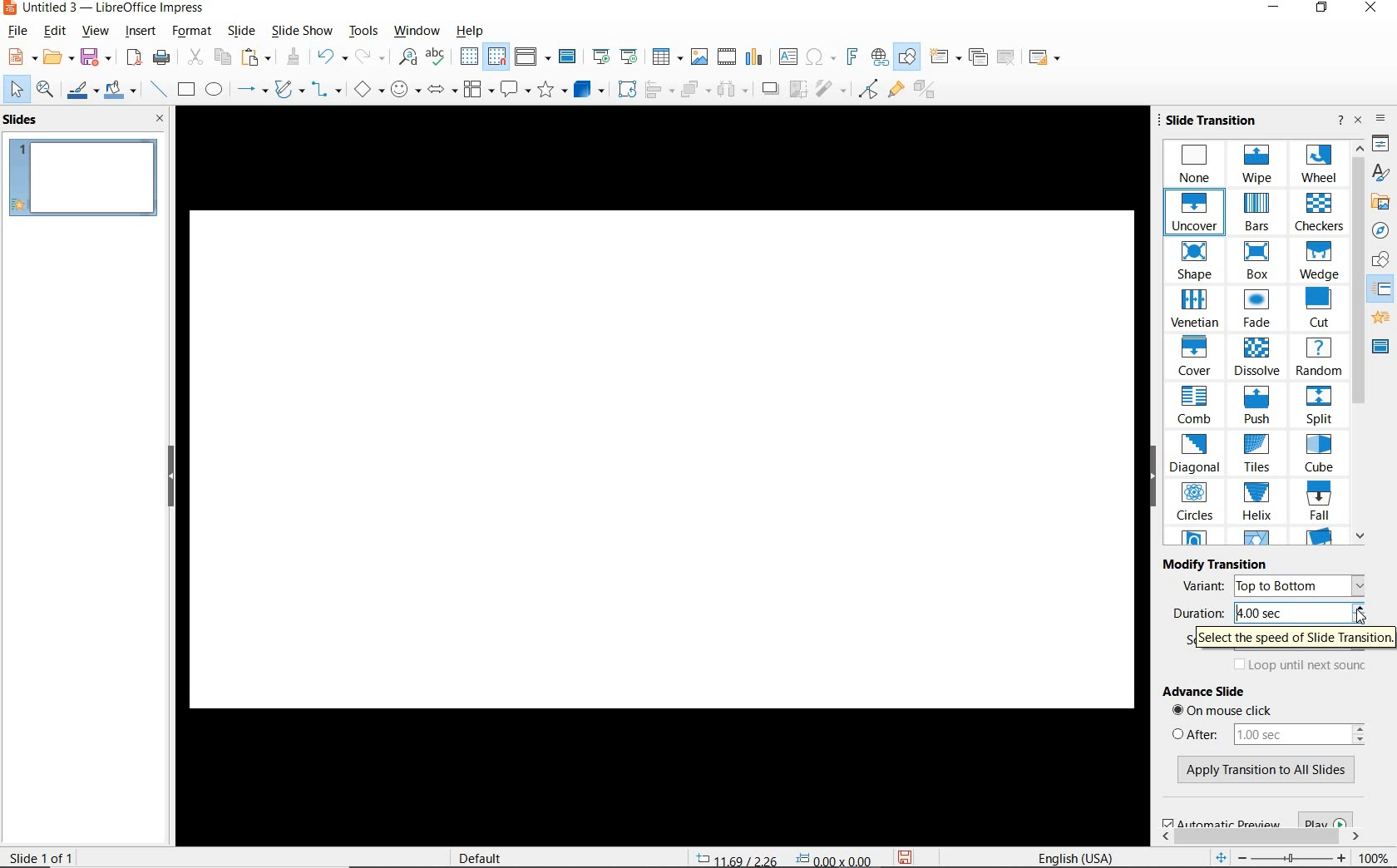  What do you see at coordinates (53, 33) in the screenshot?
I see `EDIT` at bounding box center [53, 33].